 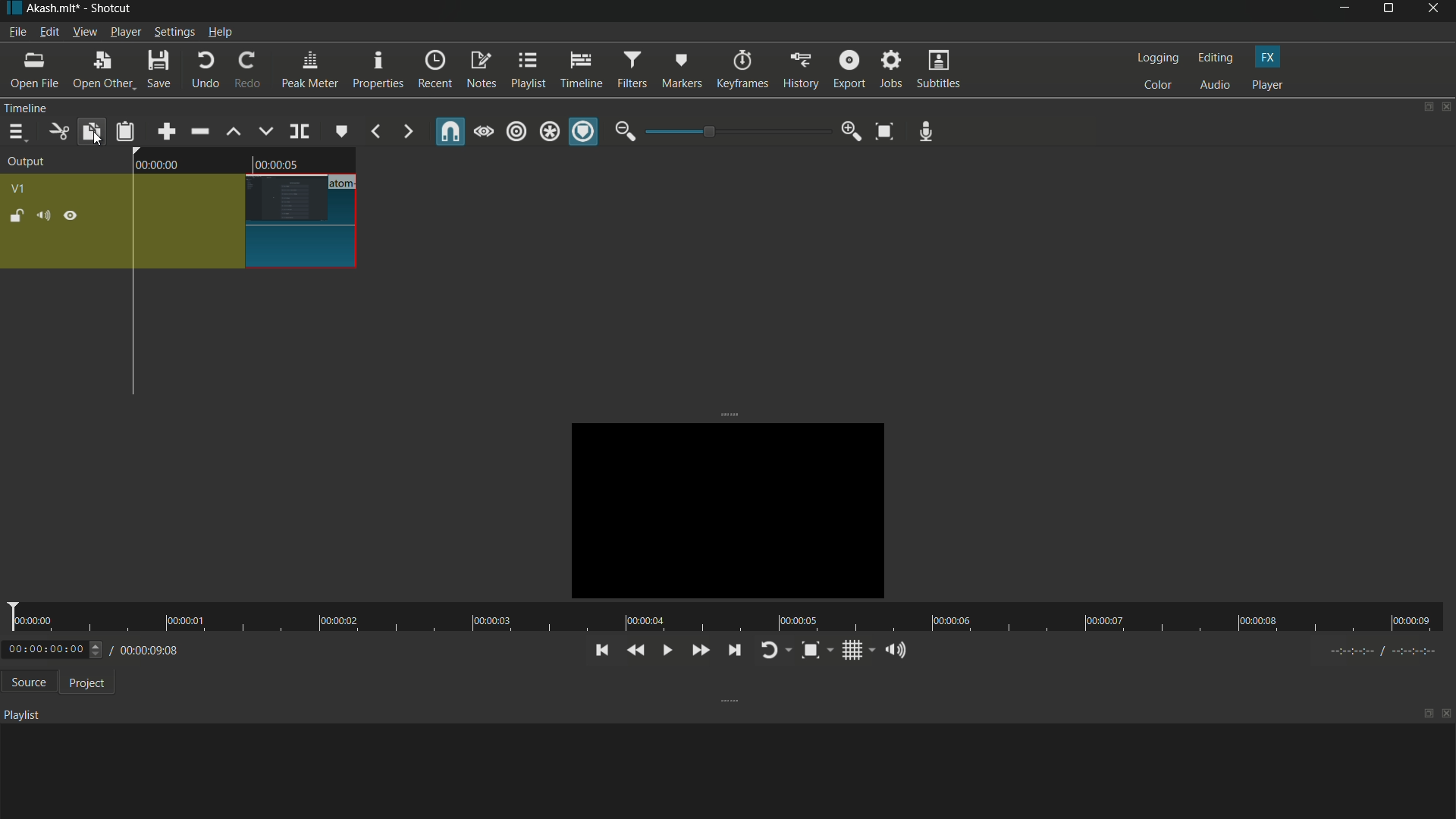 What do you see at coordinates (899, 649) in the screenshot?
I see `show volume control` at bounding box center [899, 649].